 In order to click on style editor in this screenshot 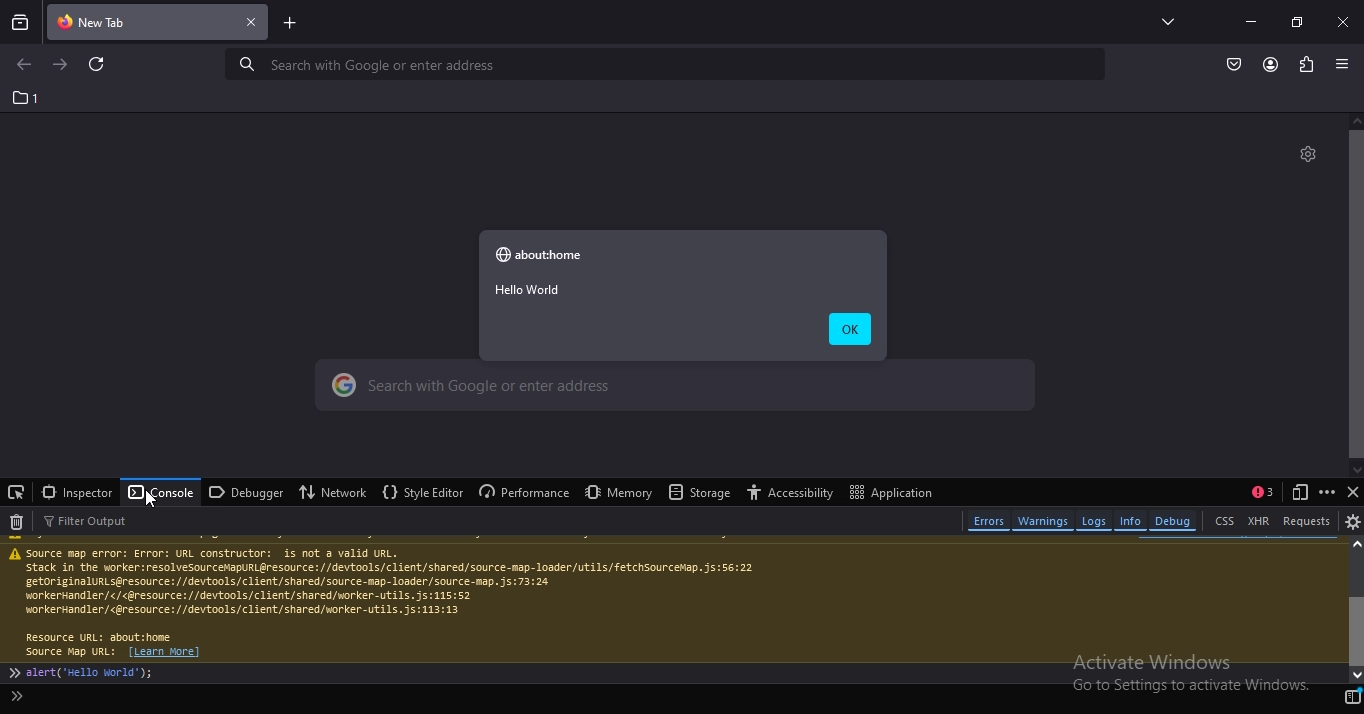, I will do `click(424, 492)`.